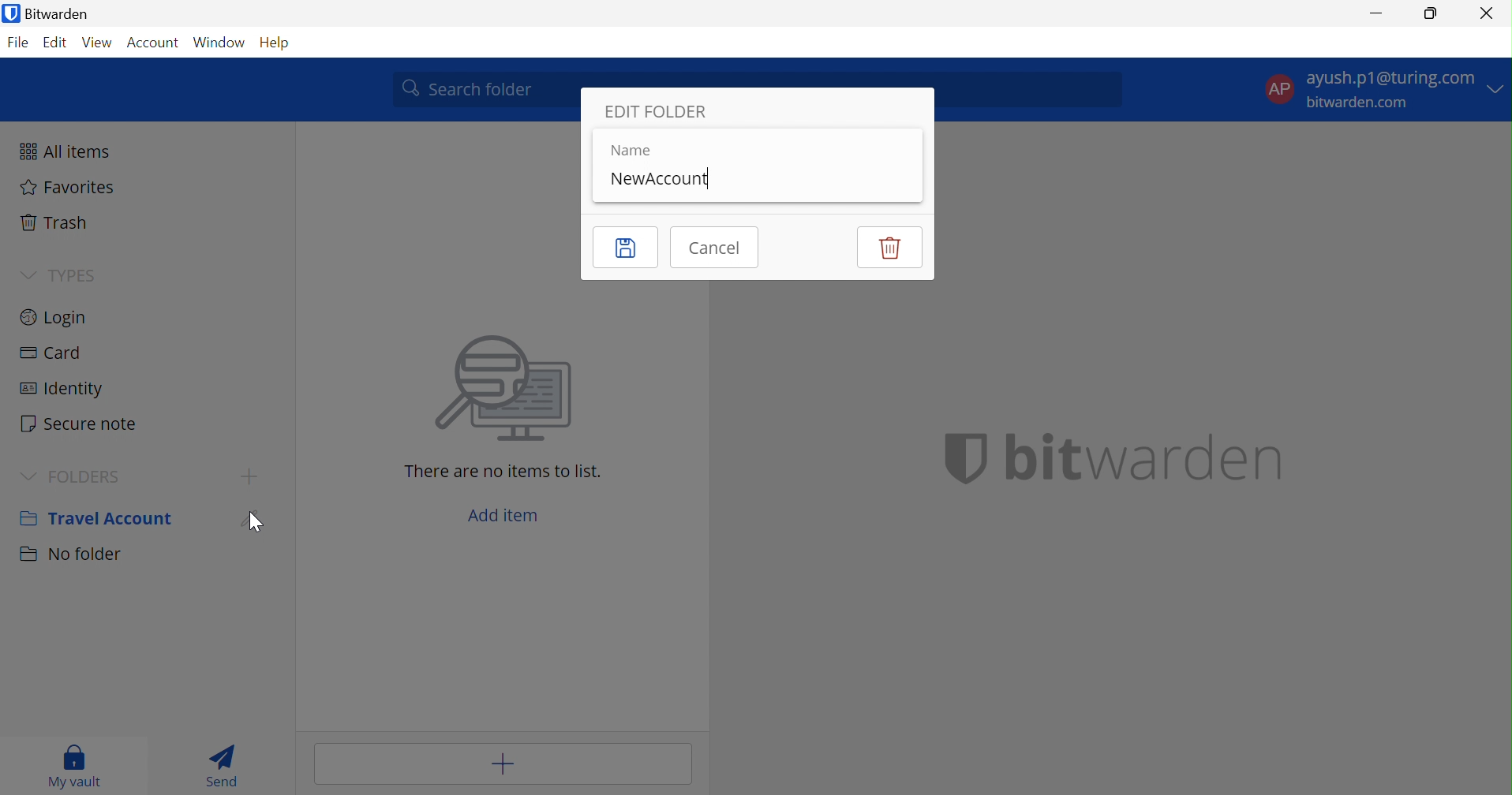 The height and width of the screenshot is (795, 1512). Describe the element at coordinates (630, 150) in the screenshot. I see `Name` at that location.